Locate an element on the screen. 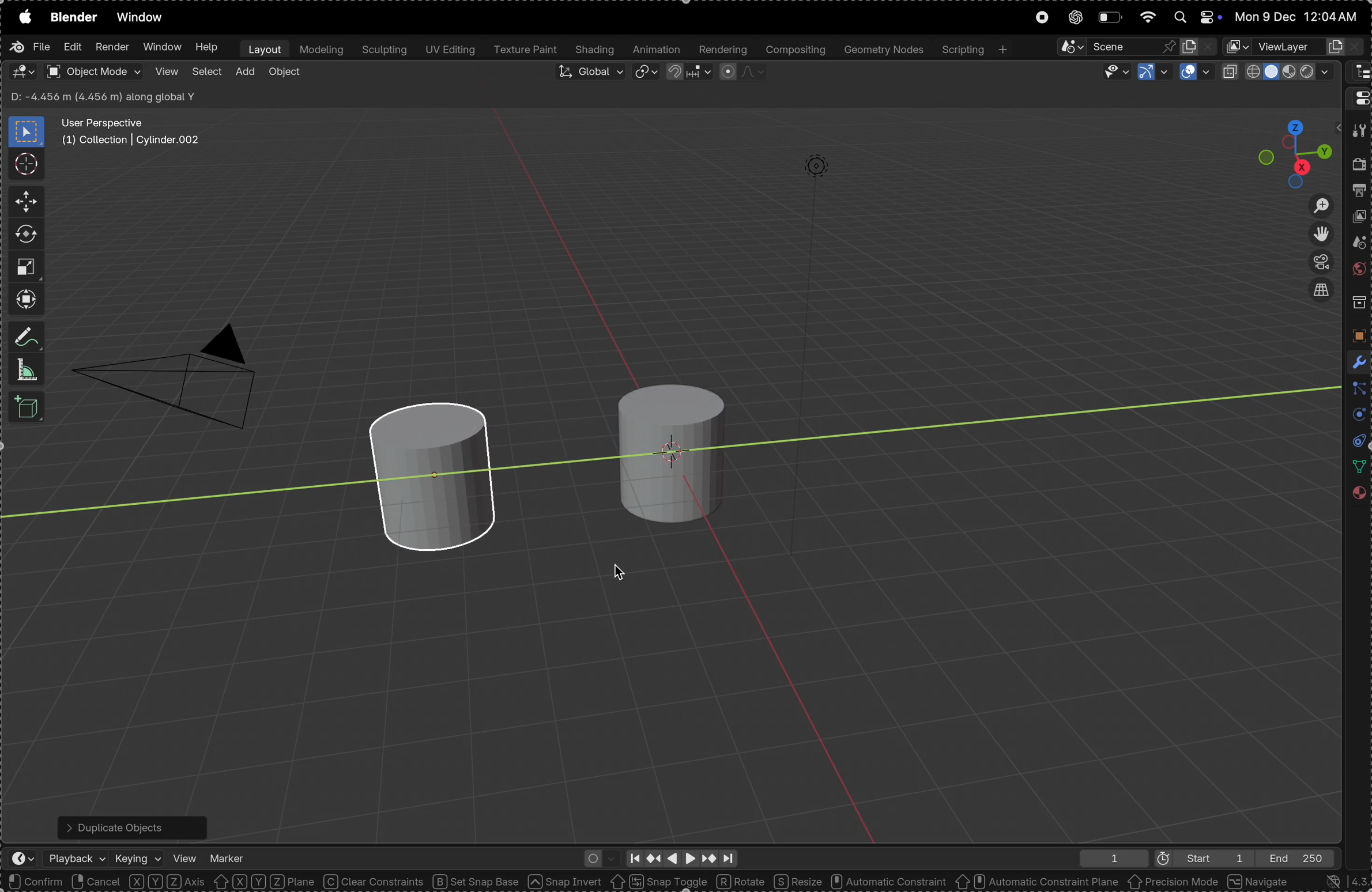  object is located at coordinates (285, 74).